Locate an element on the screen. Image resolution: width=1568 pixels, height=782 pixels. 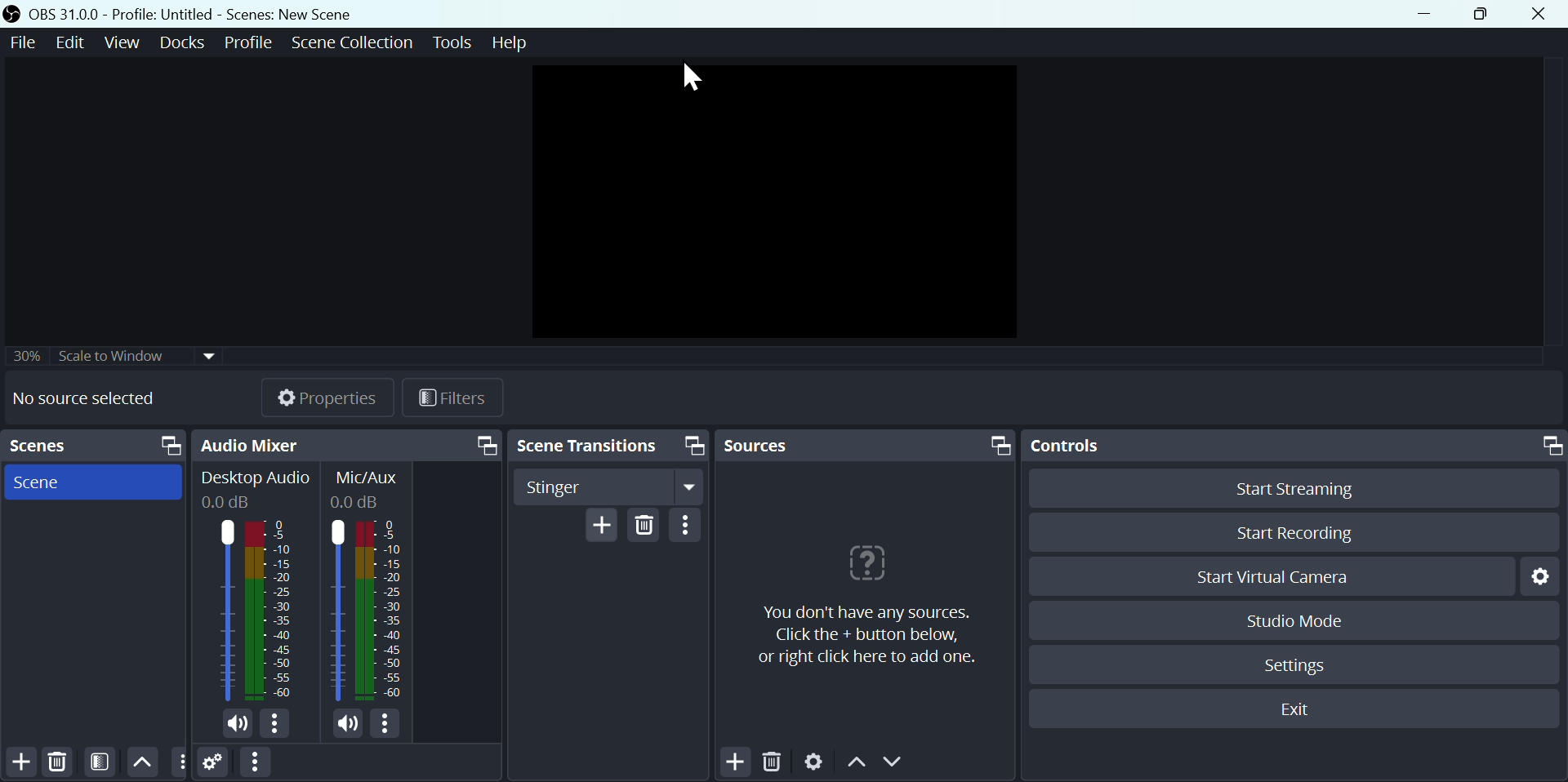
 is located at coordinates (250, 40).